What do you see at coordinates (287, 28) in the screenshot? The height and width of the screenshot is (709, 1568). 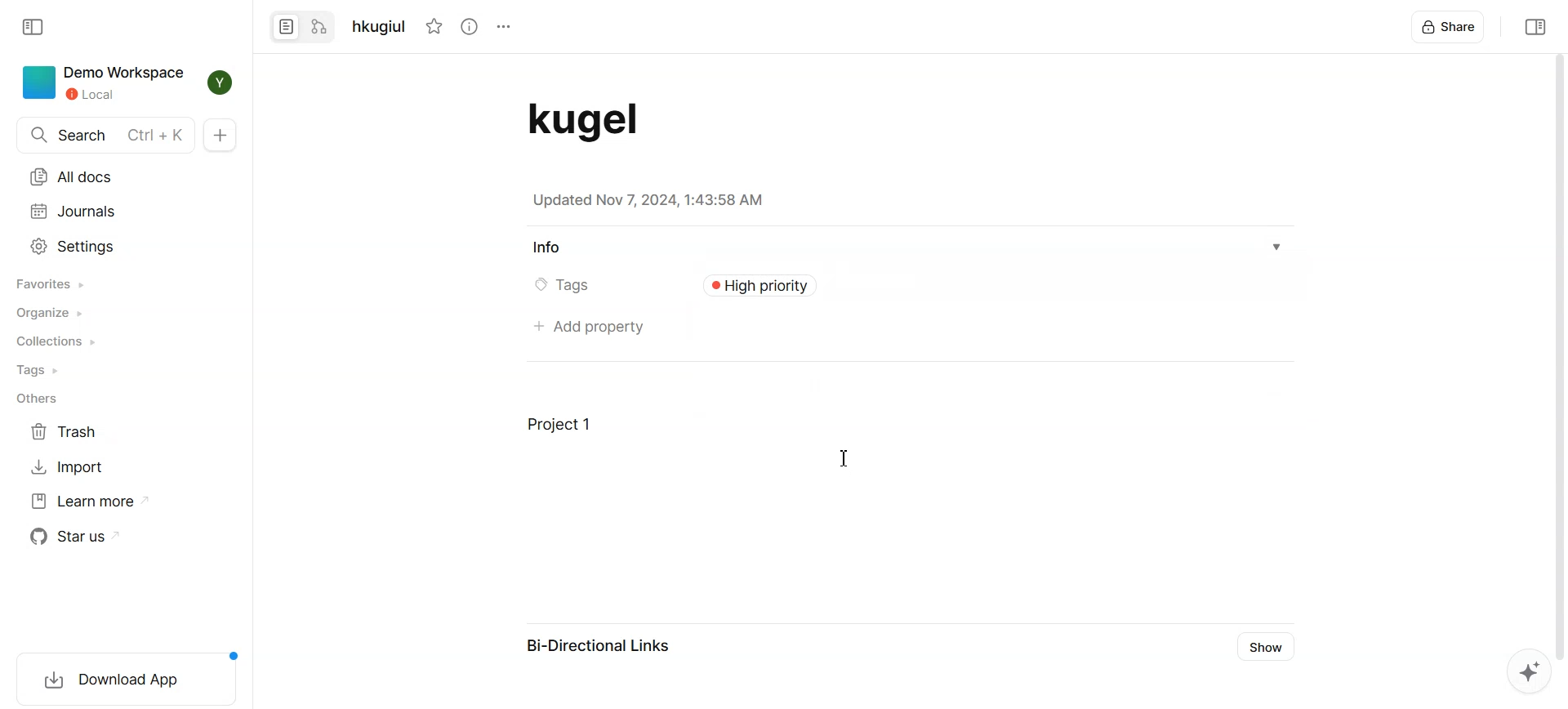 I see `Convert to page` at bounding box center [287, 28].